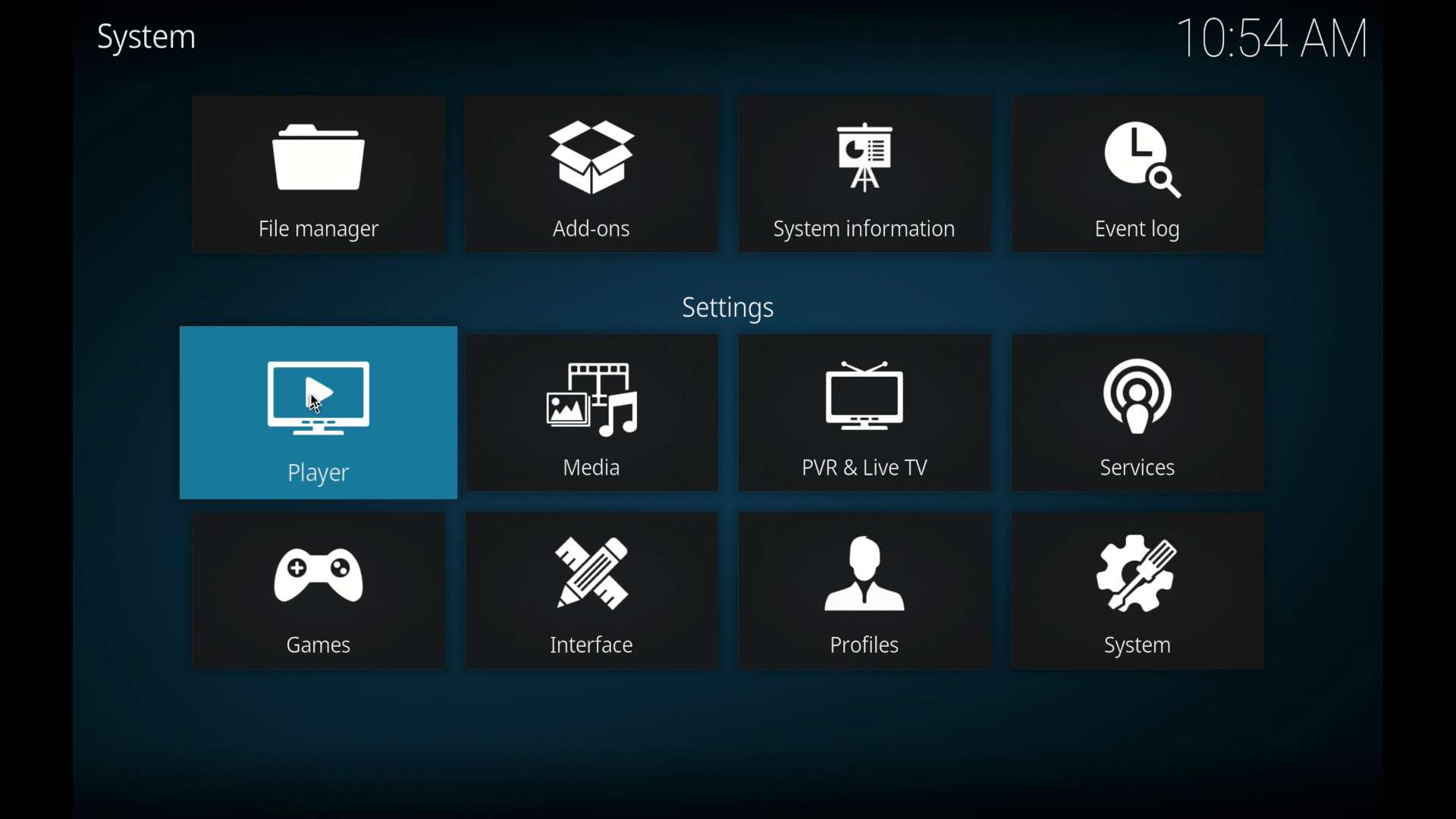  What do you see at coordinates (729, 309) in the screenshot?
I see `settings` at bounding box center [729, 309].